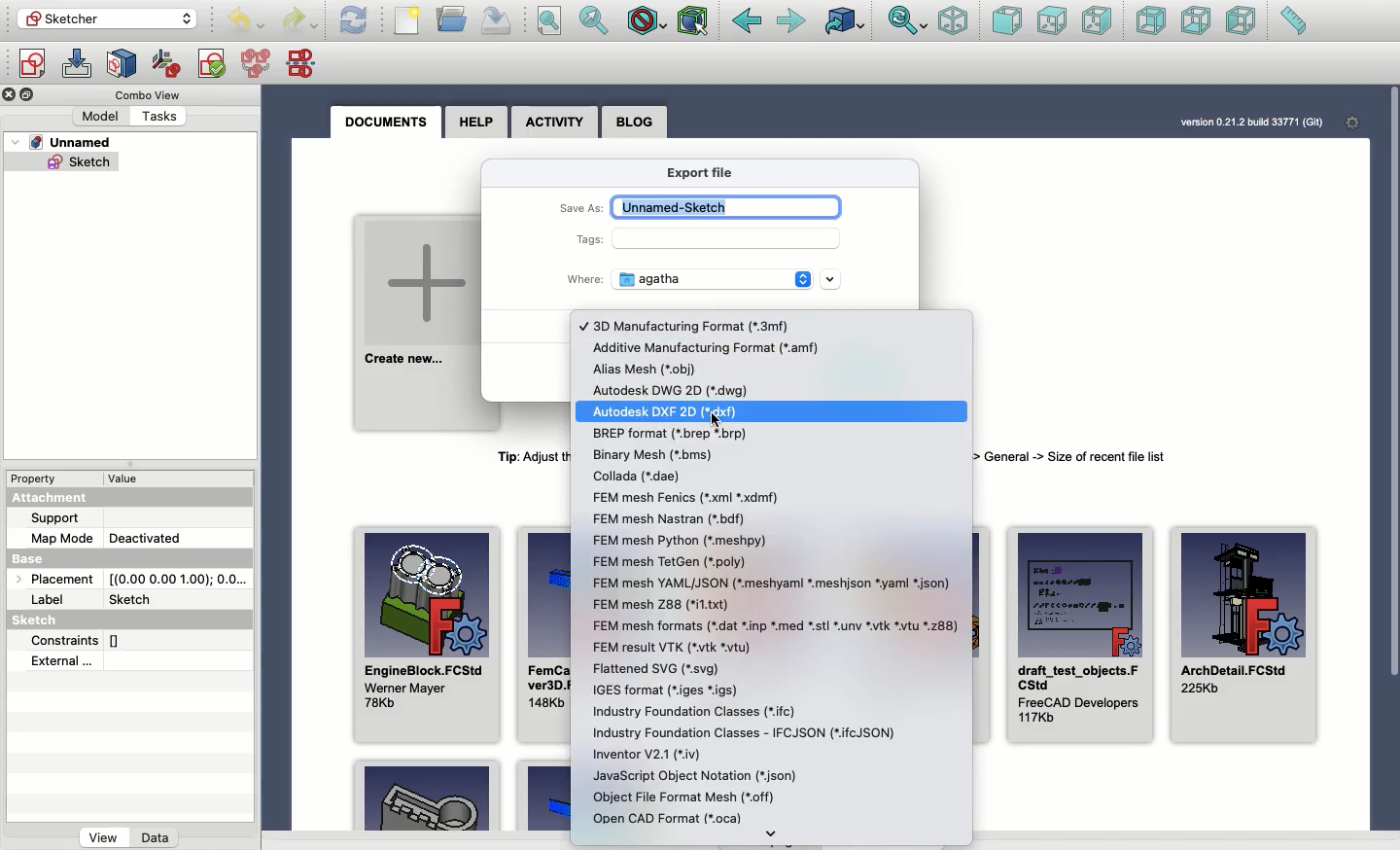 The image size is (1400, 850). I want to click on Scroll, so click(1393, 382).